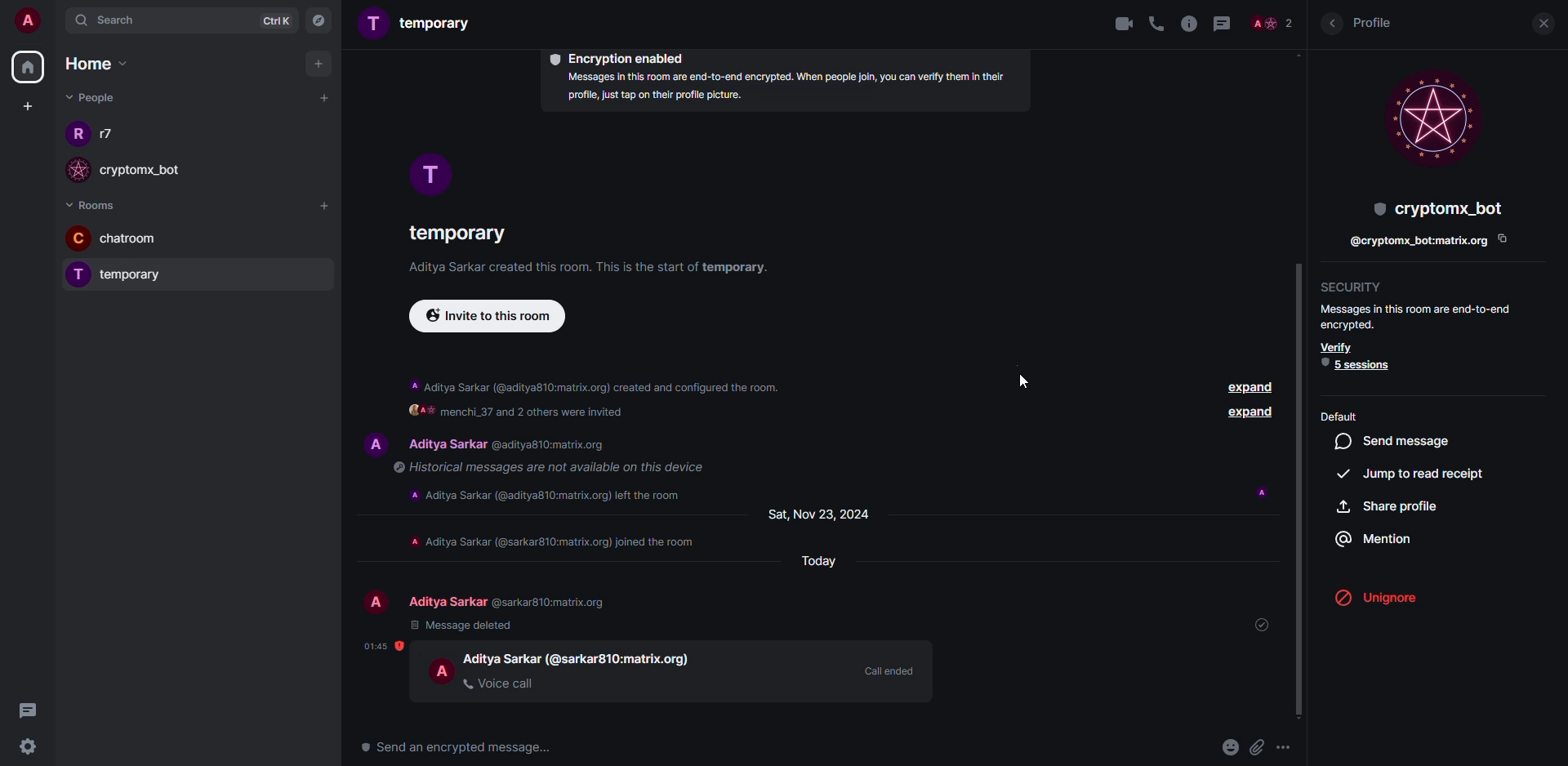 This screenshot has height=766, width=1568. I want to click on room, so click(147, 278).